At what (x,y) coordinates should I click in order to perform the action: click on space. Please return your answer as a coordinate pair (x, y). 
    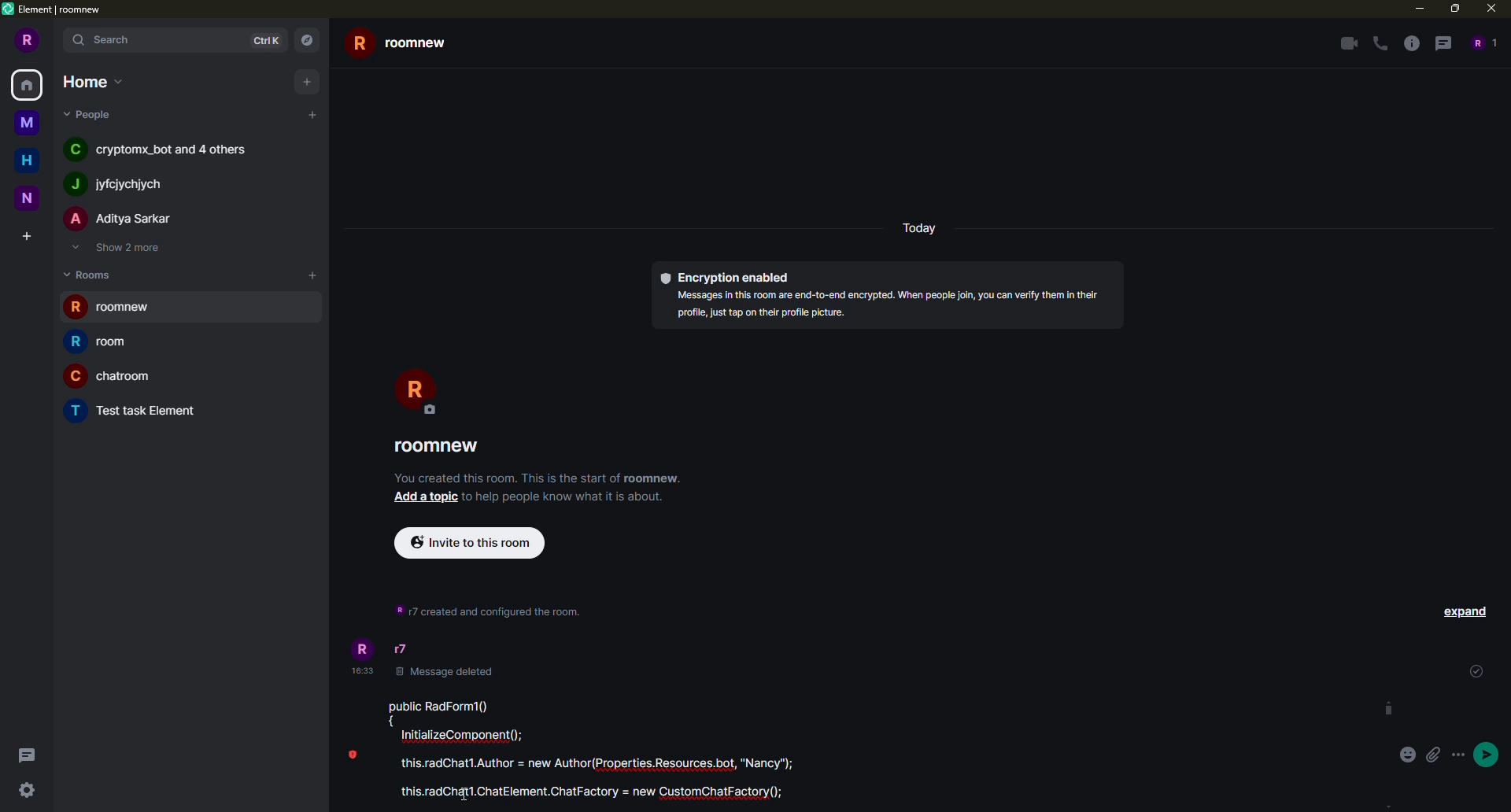
    Looking at the image, I should click on (27, 197).